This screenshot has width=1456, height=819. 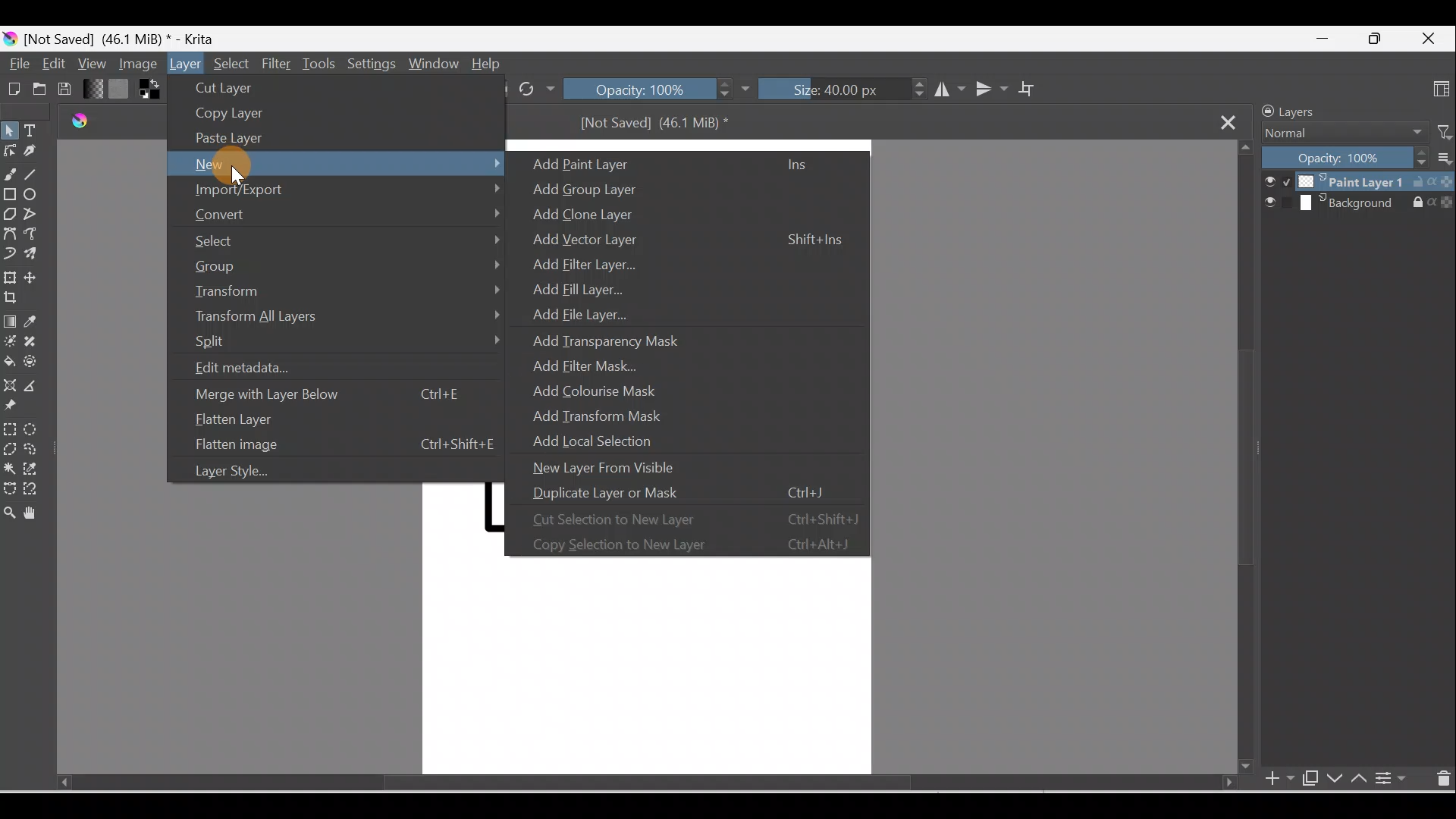 I want to click on Similar colour selection tool, so click(x=35, y=471).